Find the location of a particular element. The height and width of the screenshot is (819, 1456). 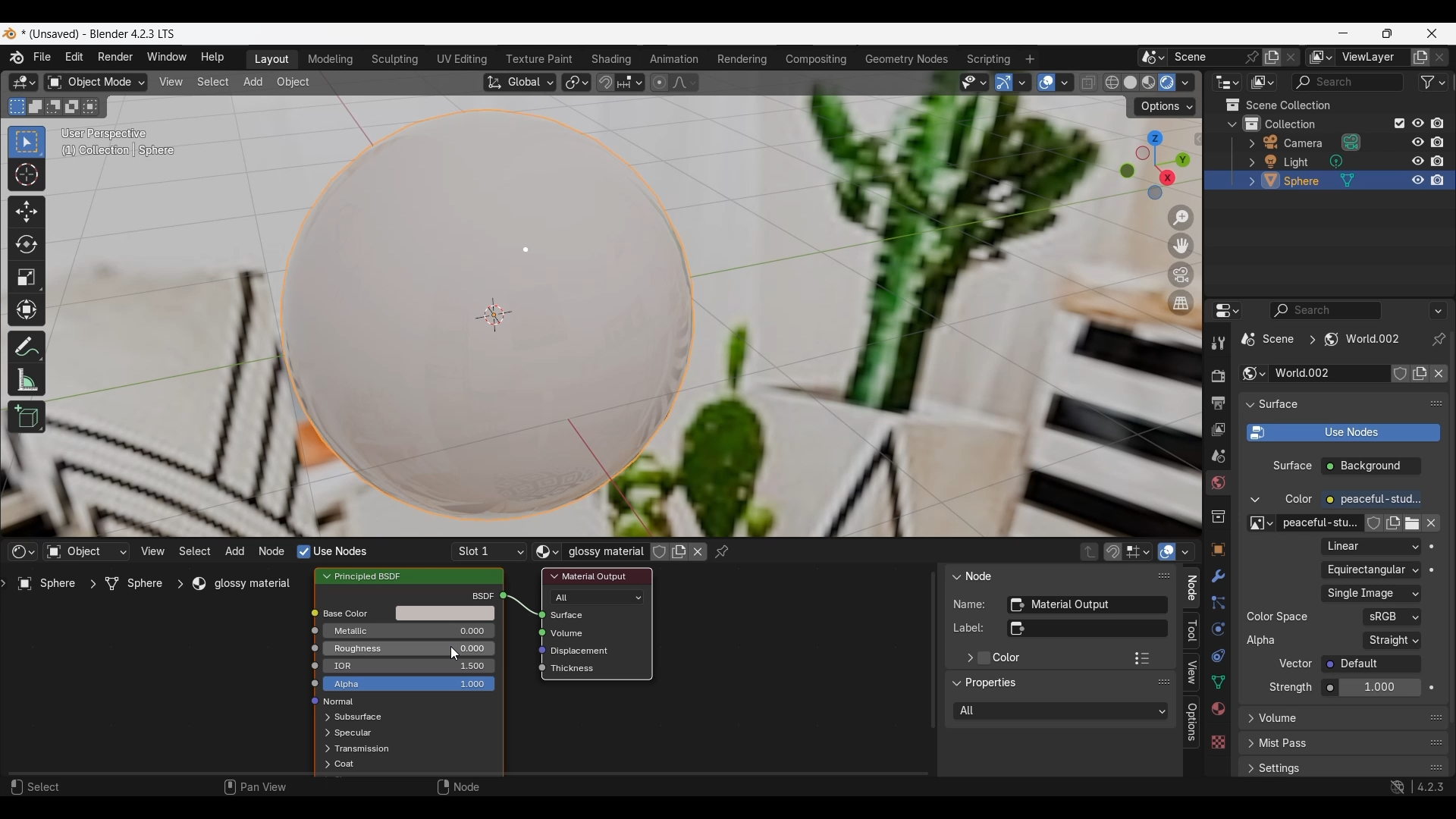

Snap during transform is located at coordinates (605, 82).